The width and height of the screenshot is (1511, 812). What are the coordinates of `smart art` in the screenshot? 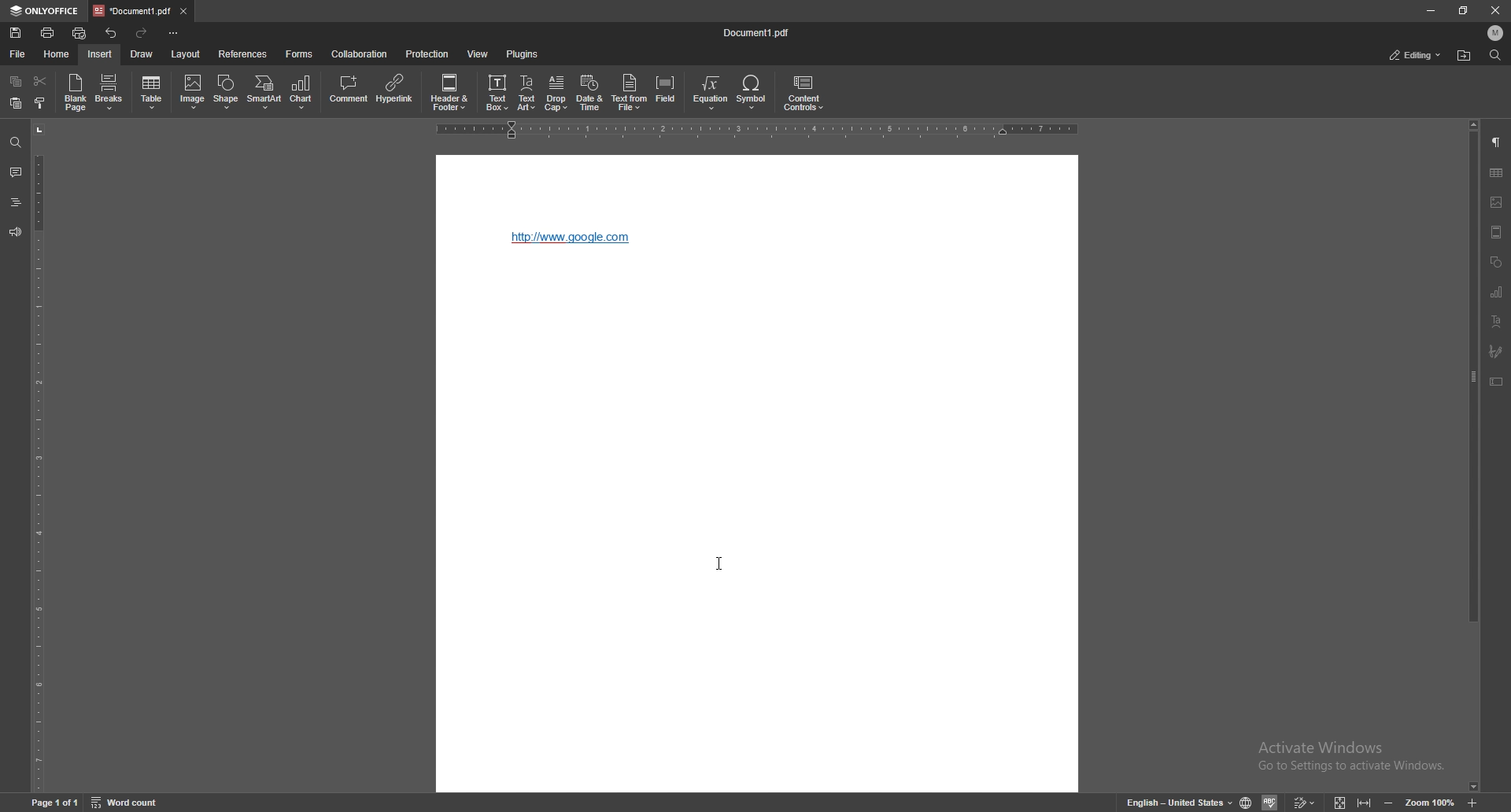 It's located at (265, 92).